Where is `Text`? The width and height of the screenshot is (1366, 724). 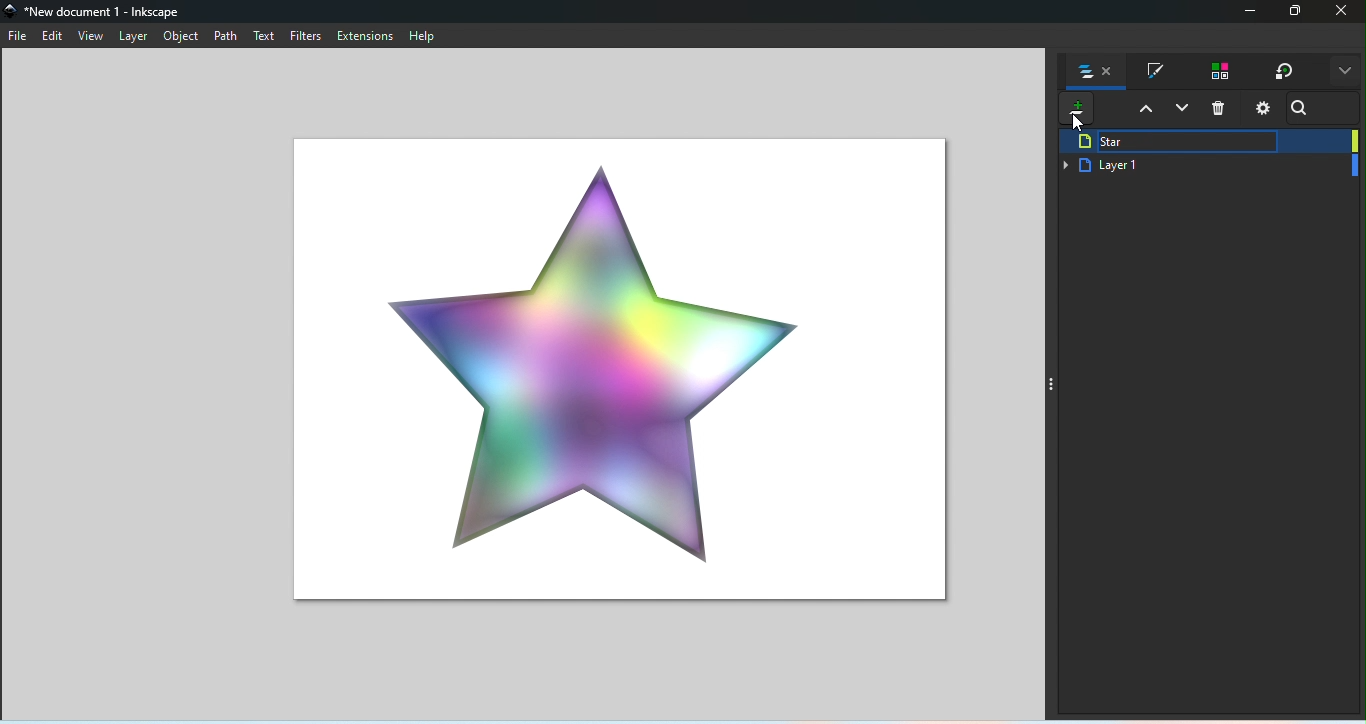
Text is located at coordinates (266, 37).